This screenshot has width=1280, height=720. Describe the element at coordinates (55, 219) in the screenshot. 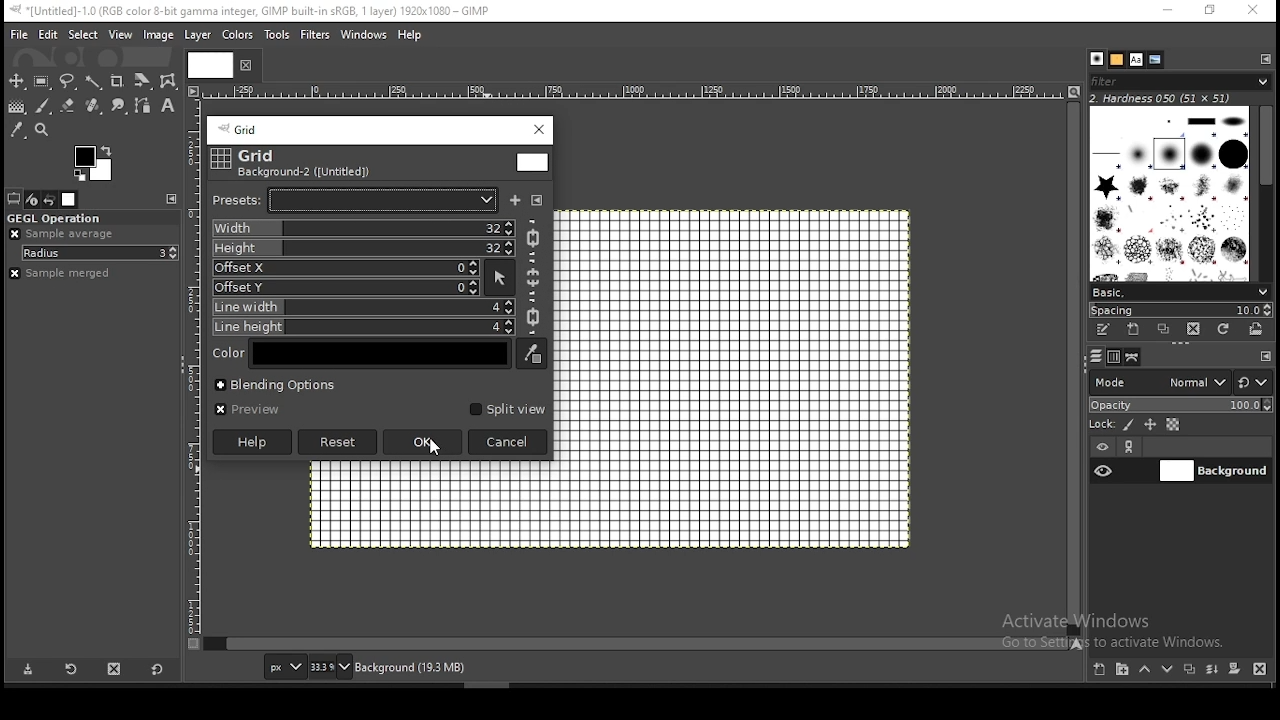

I see `GEGL operation` at that location.